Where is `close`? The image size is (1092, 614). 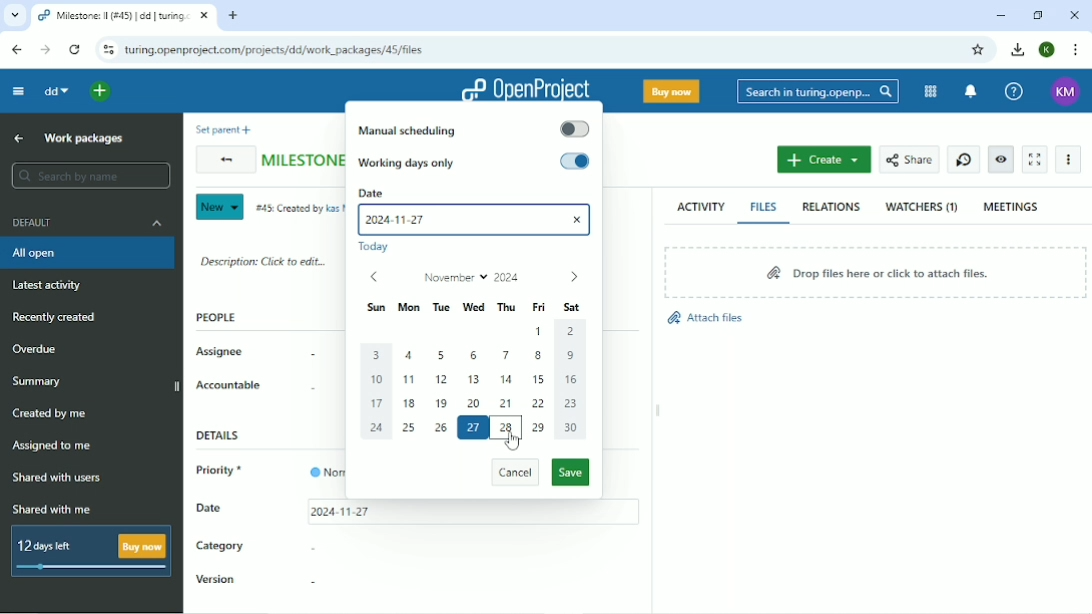 close is located at coordinates (579, 218).